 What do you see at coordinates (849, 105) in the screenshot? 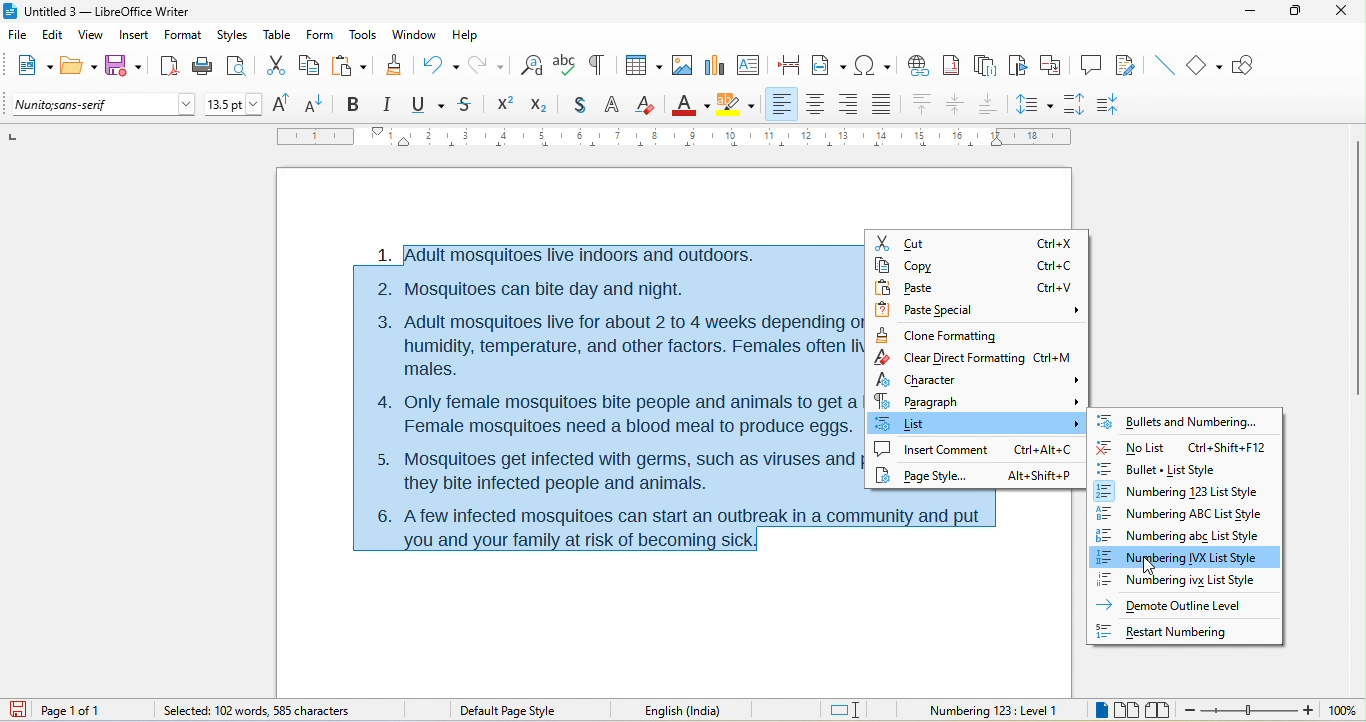
I see `align right` at bounding box center [849, 105].